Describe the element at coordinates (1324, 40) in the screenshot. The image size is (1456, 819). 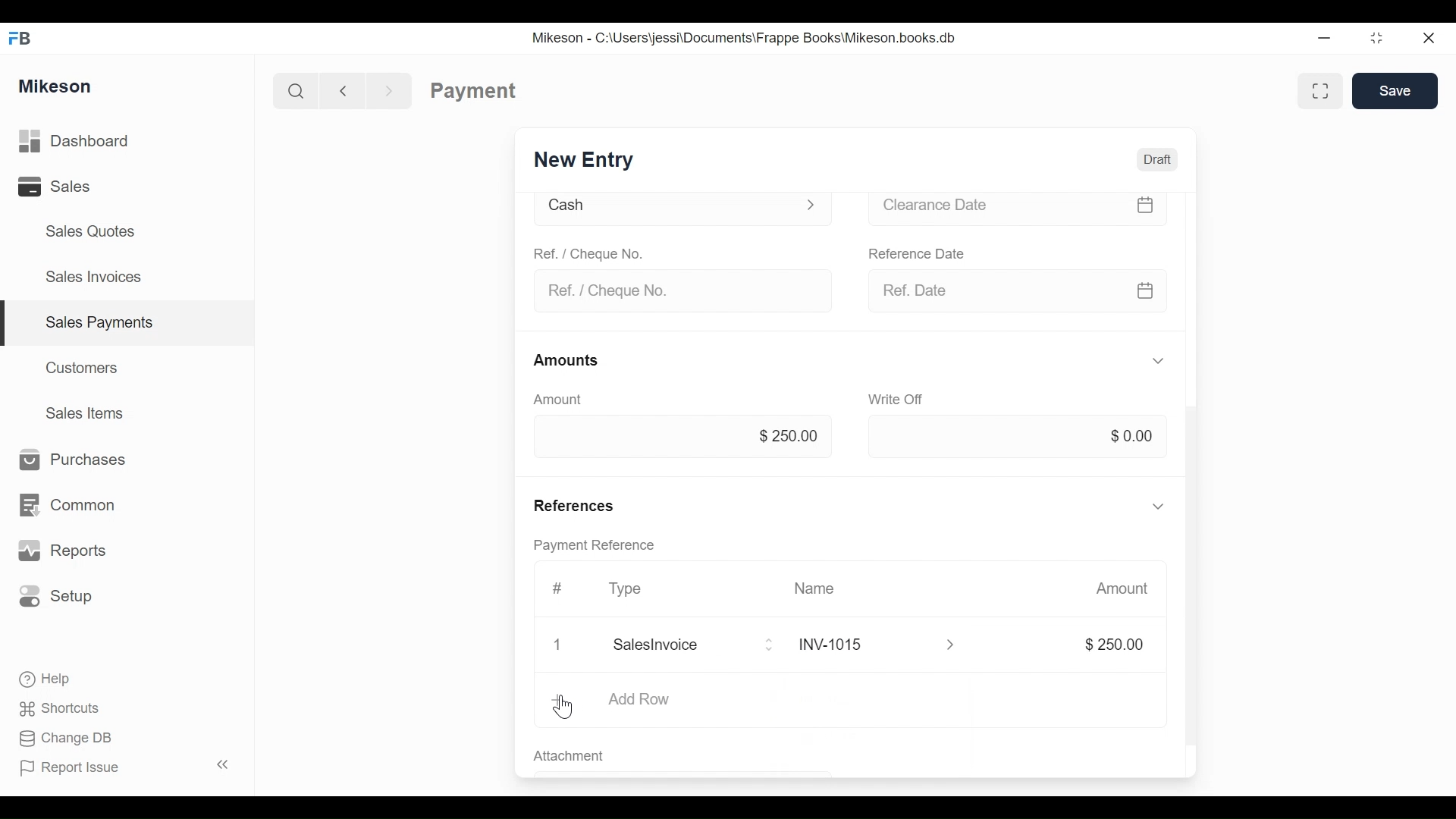
I see `Minimize` at that location.